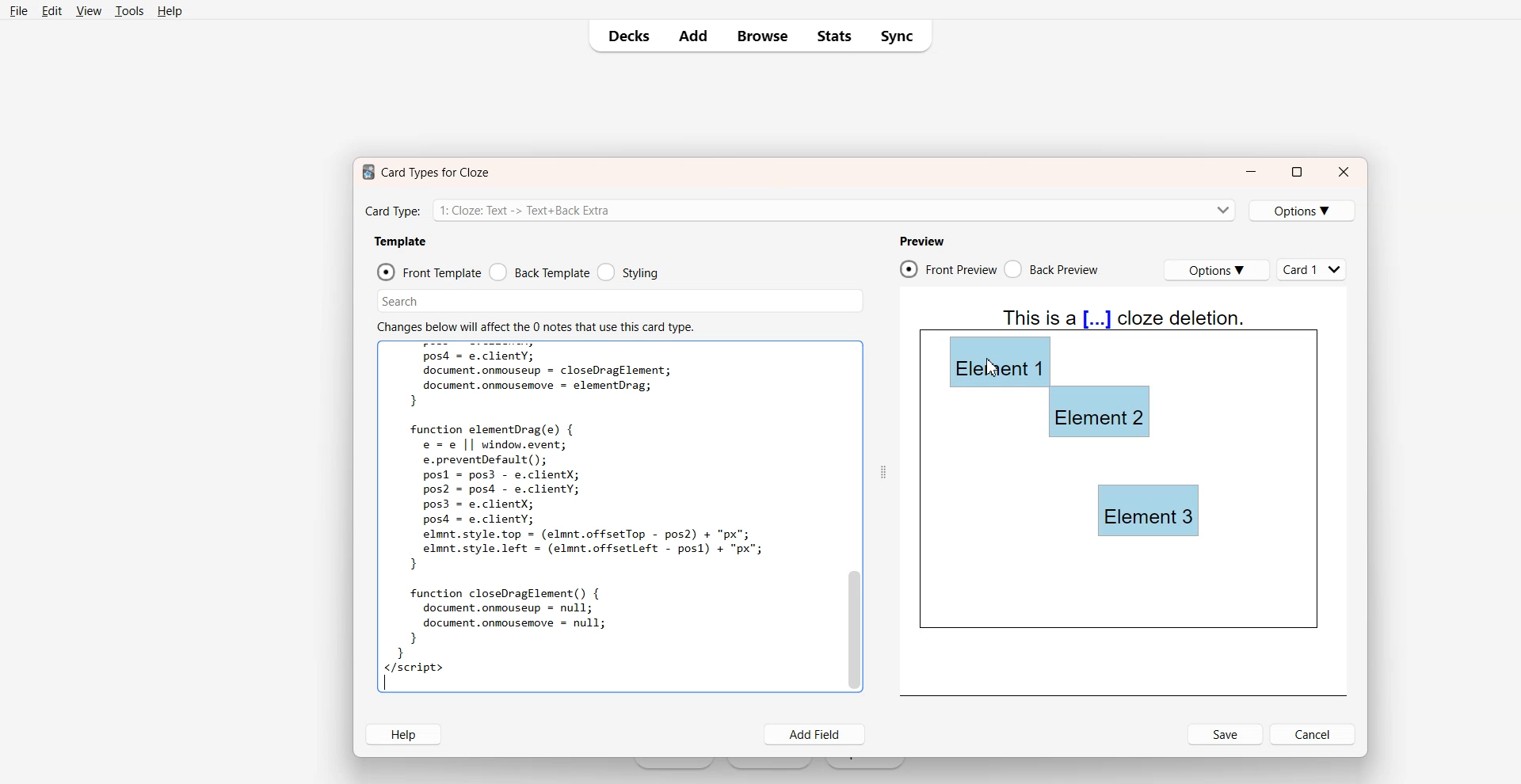 Image resolution: width=1521 pixels, height=784 pixels. What do you see at coordinates (853, 516) in the screenshot?
I see `Vertical Scroll Bar ` at bounding box center [853, 516].